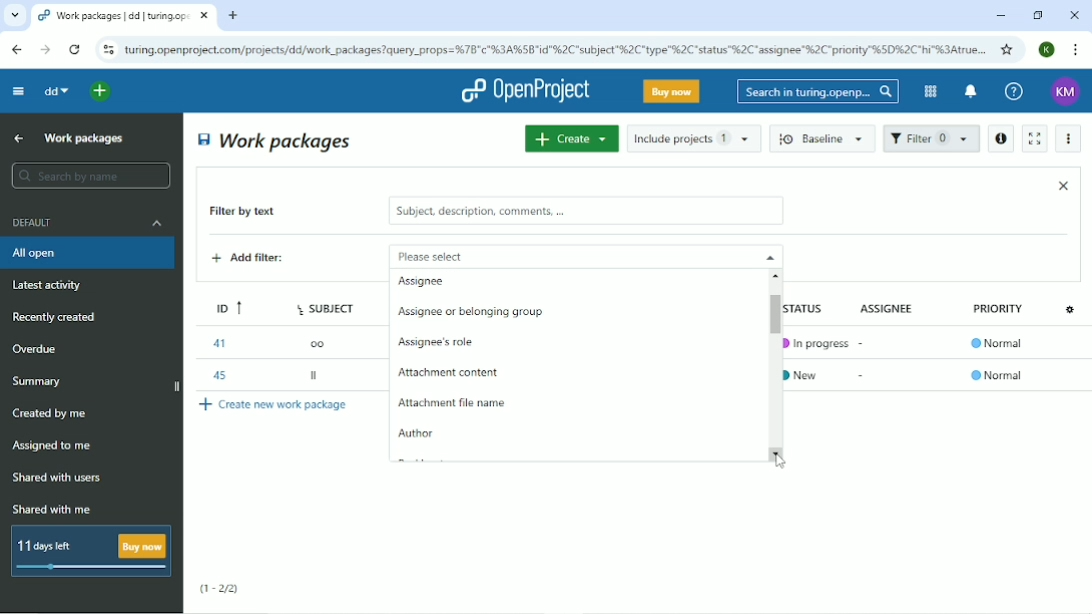  What do you see at coordinates (40, 381) in the screenshot?
I see `Summary` at bounding box center [40, 381].